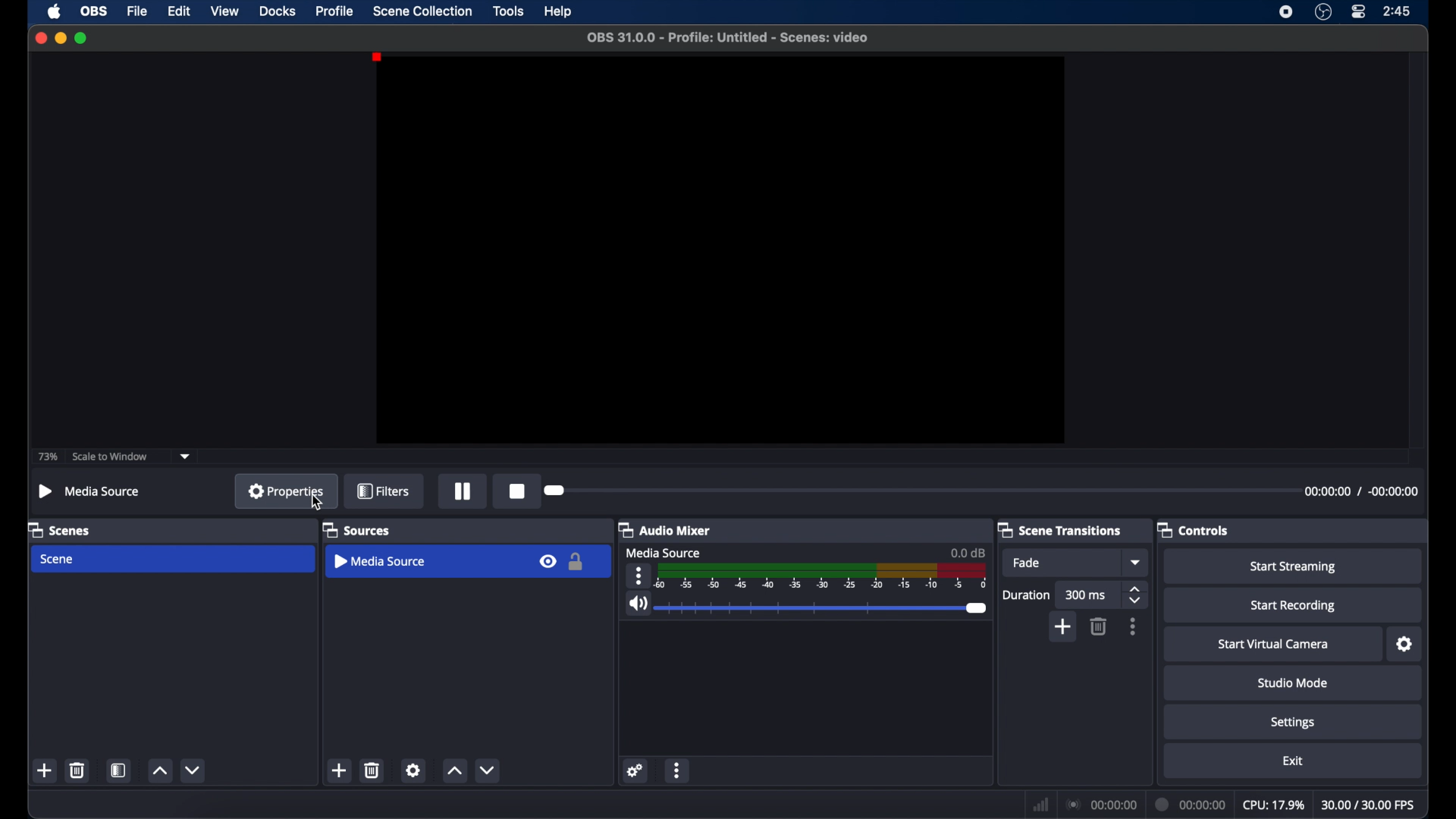 The width and height of the screenshot is (1456, 819). What do you see at coordinates (159, 771) in the screenshot?
I see `increment` at bounding box center [159, 771].